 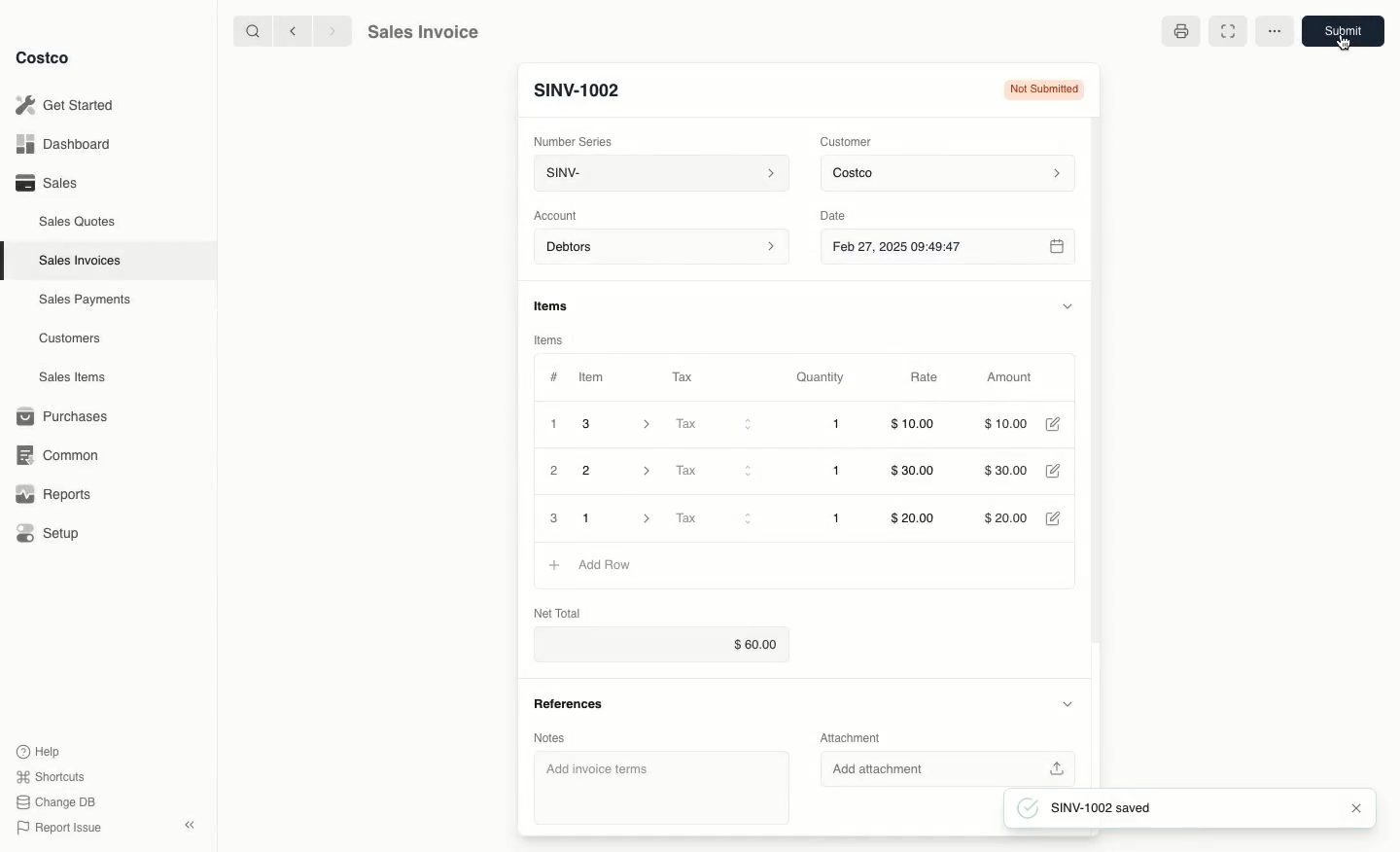 I want to click on Submit, so click(x=1343, y=30).